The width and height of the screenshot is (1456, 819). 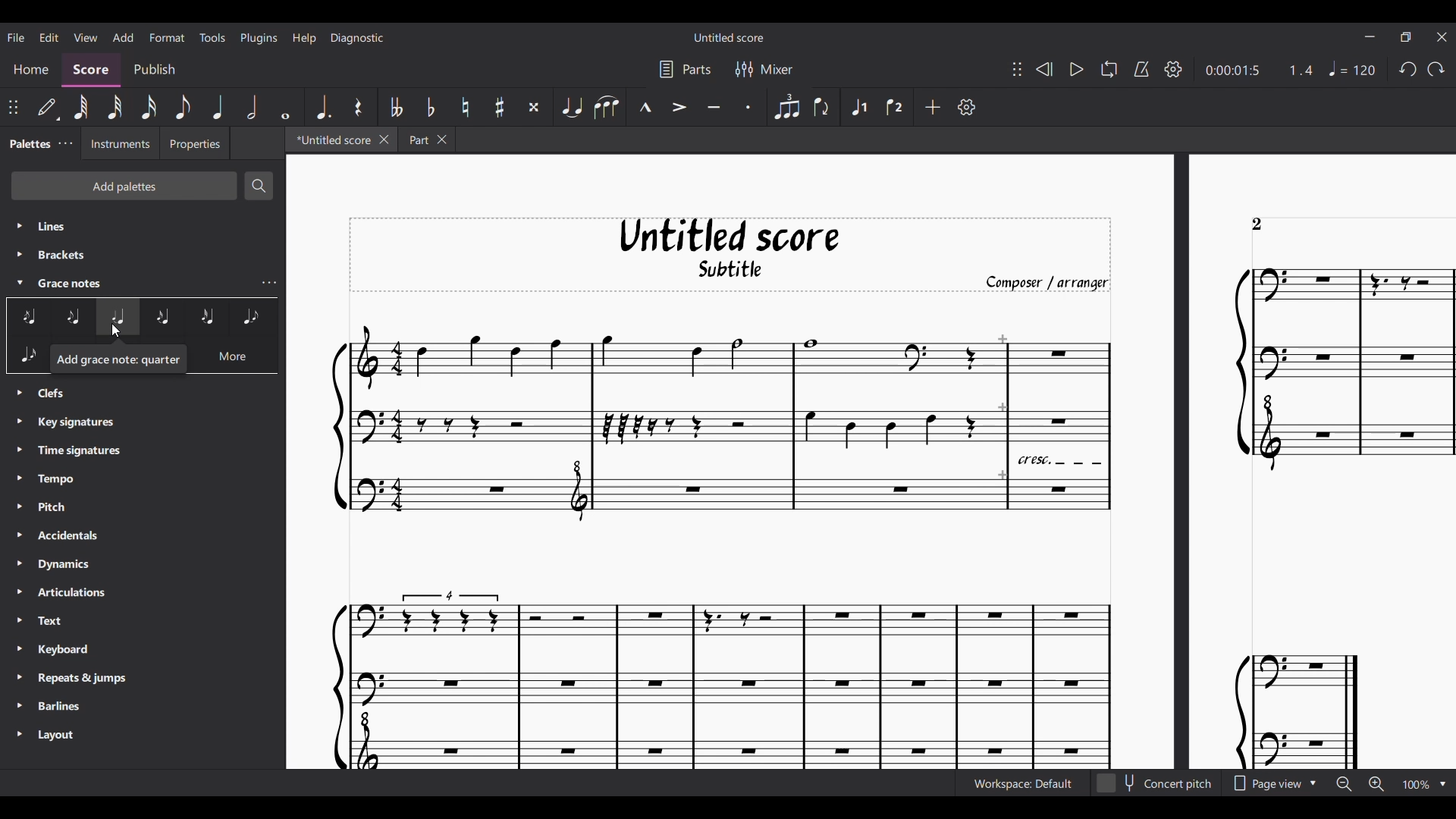 What do you see at coordinates (20, 242) in the screenshot?
I see `expand respective palette` at bounding box center [20, 242].